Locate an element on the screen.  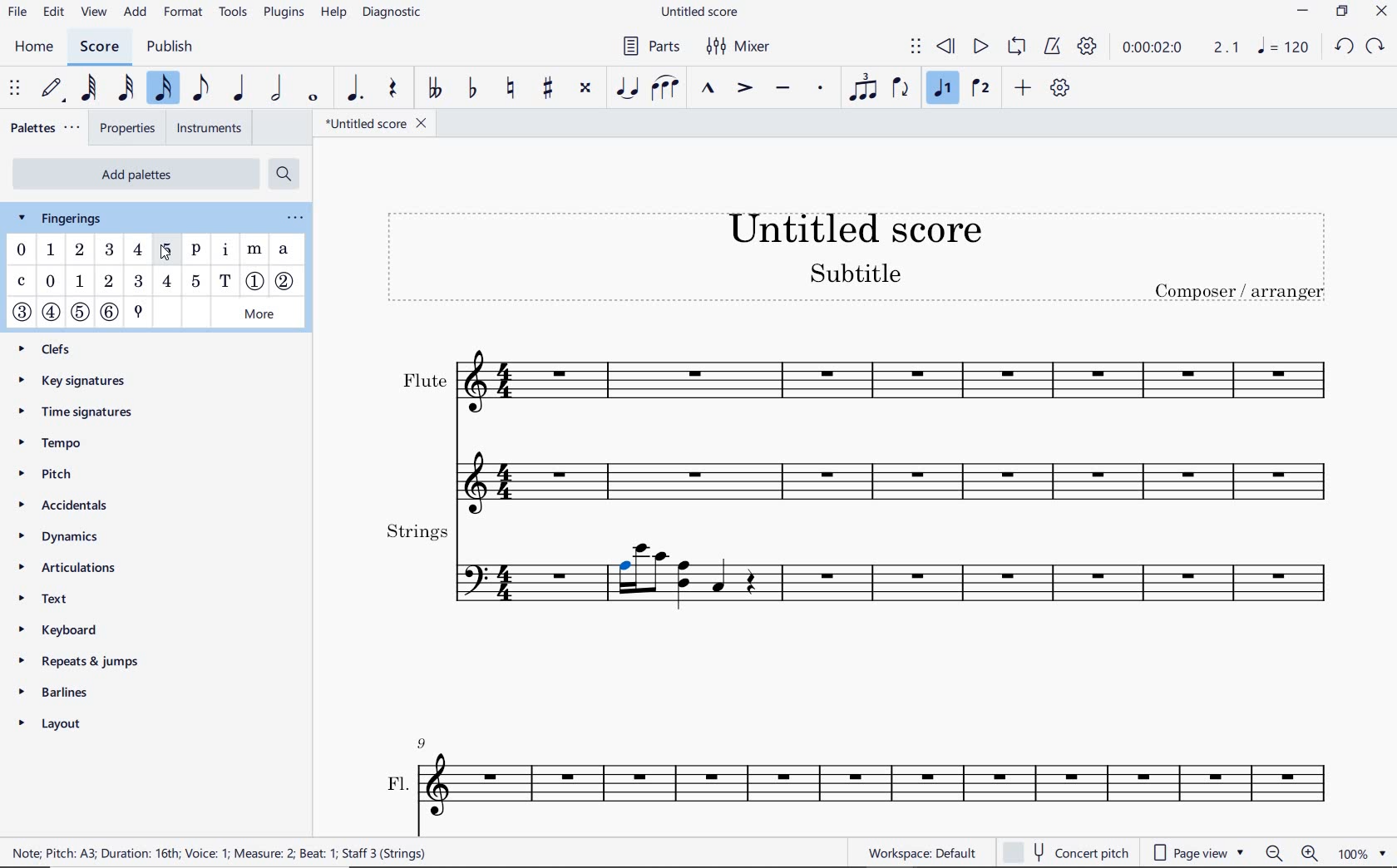
palettes is located at coordinates (47, 129).